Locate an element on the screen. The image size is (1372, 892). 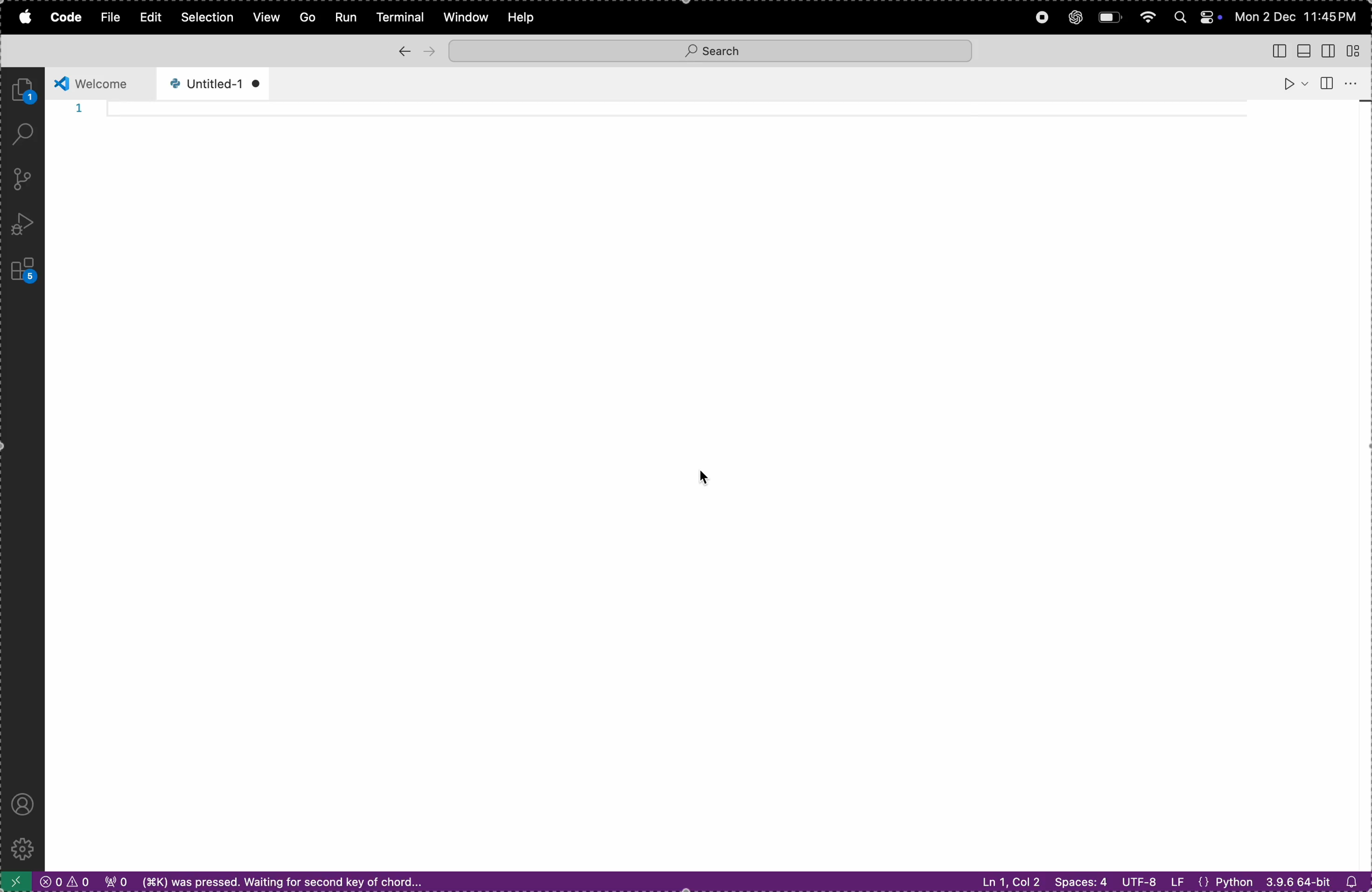
selection is located at coordinates (207, 18).